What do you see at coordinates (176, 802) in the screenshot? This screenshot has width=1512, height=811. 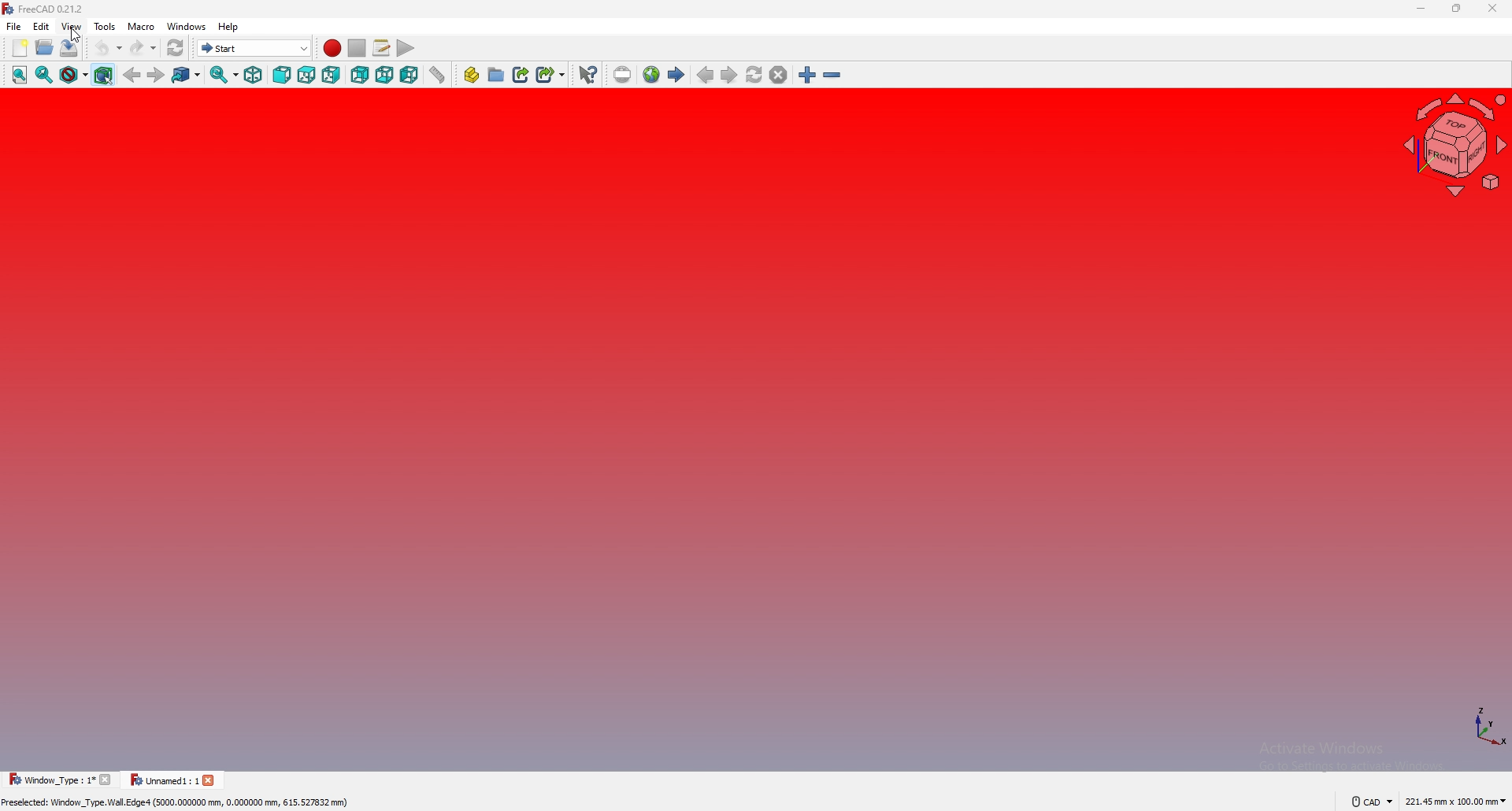 I see `Preselected: Window _Type. Wall. Edge4 (5000.000000 mm, 0.000000 mm, 615.527832 mm)` at bounding box center [176, 802].